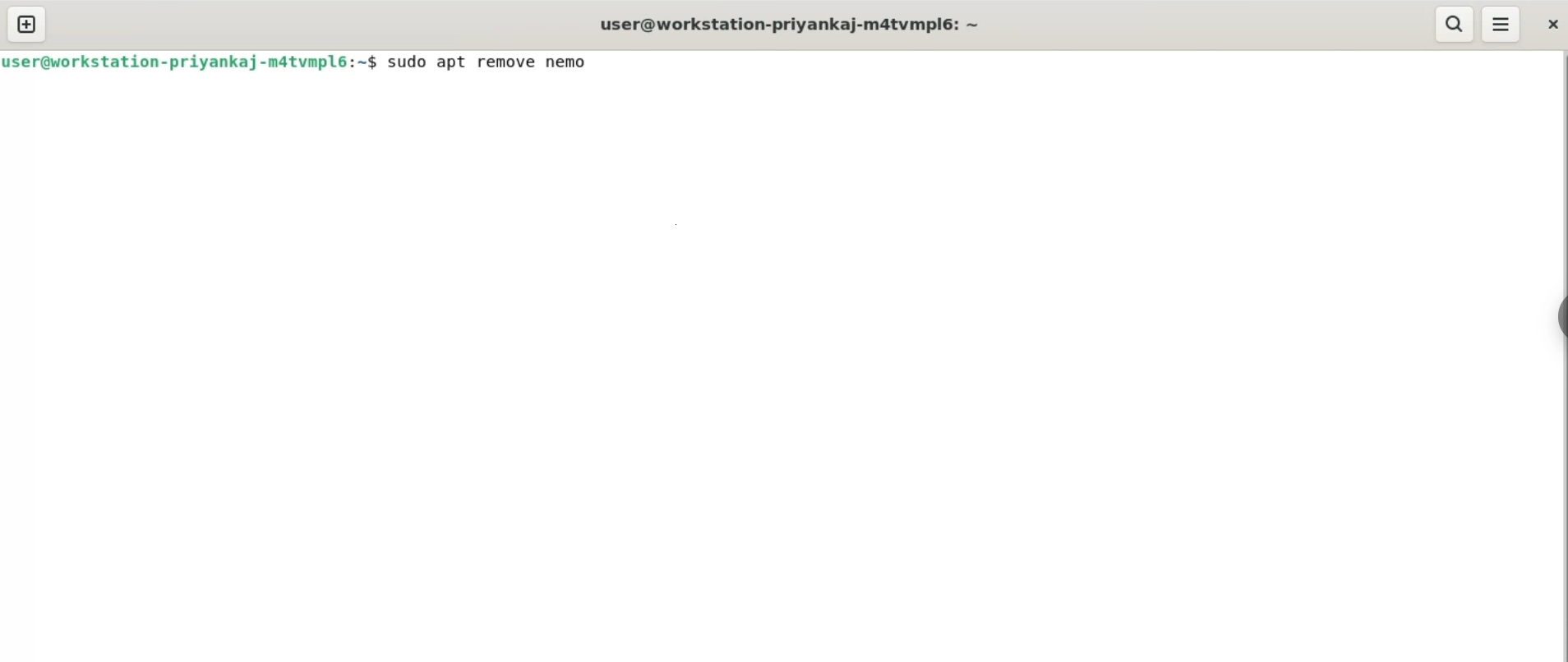 This screenshot has width=1568, height=662. What do you see at coordinates (24, 24) in the screenshot?
I see `new tab` at bounding box center [24, 24].